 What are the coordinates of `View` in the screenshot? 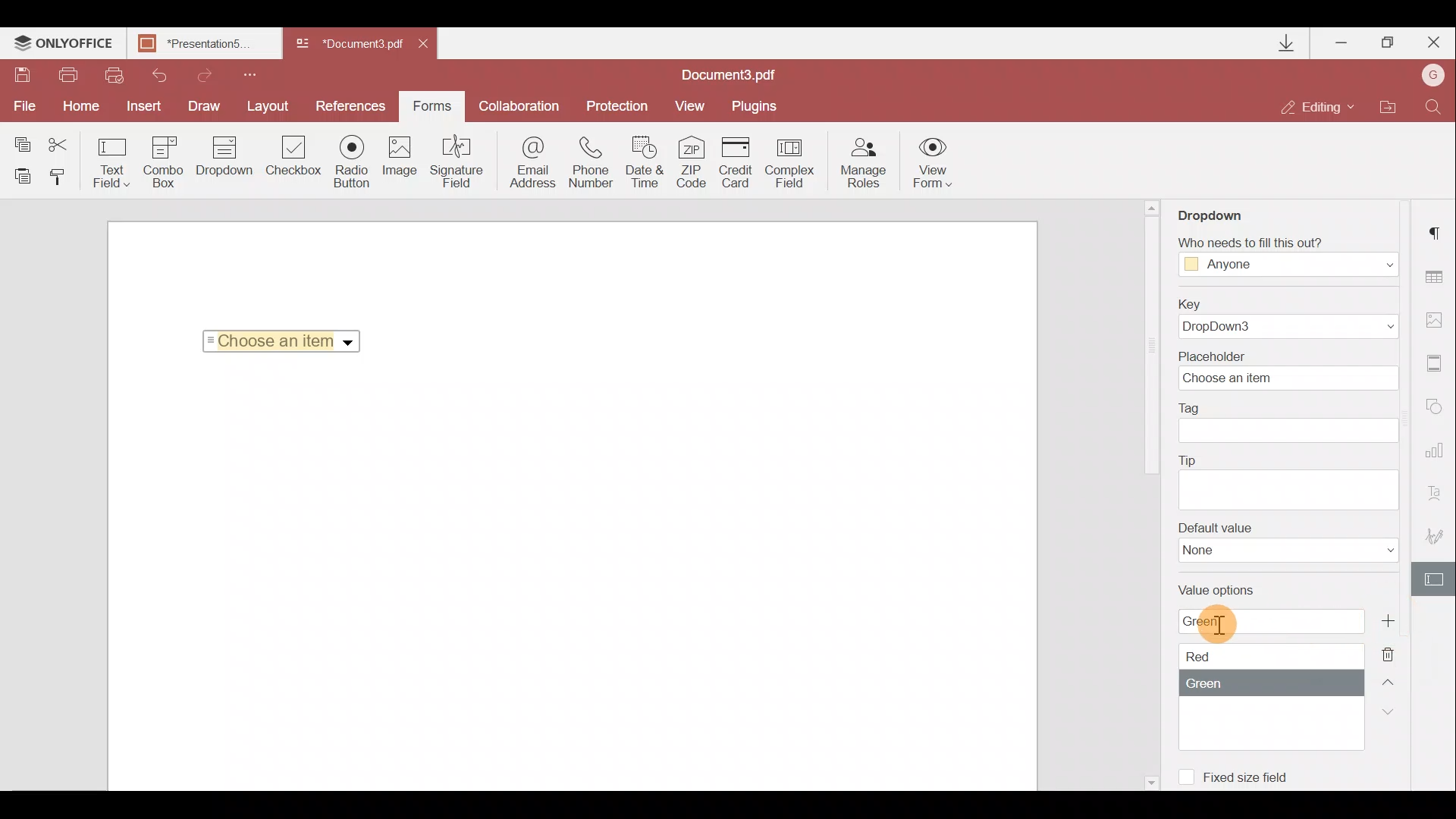 It's located at (695, 106).